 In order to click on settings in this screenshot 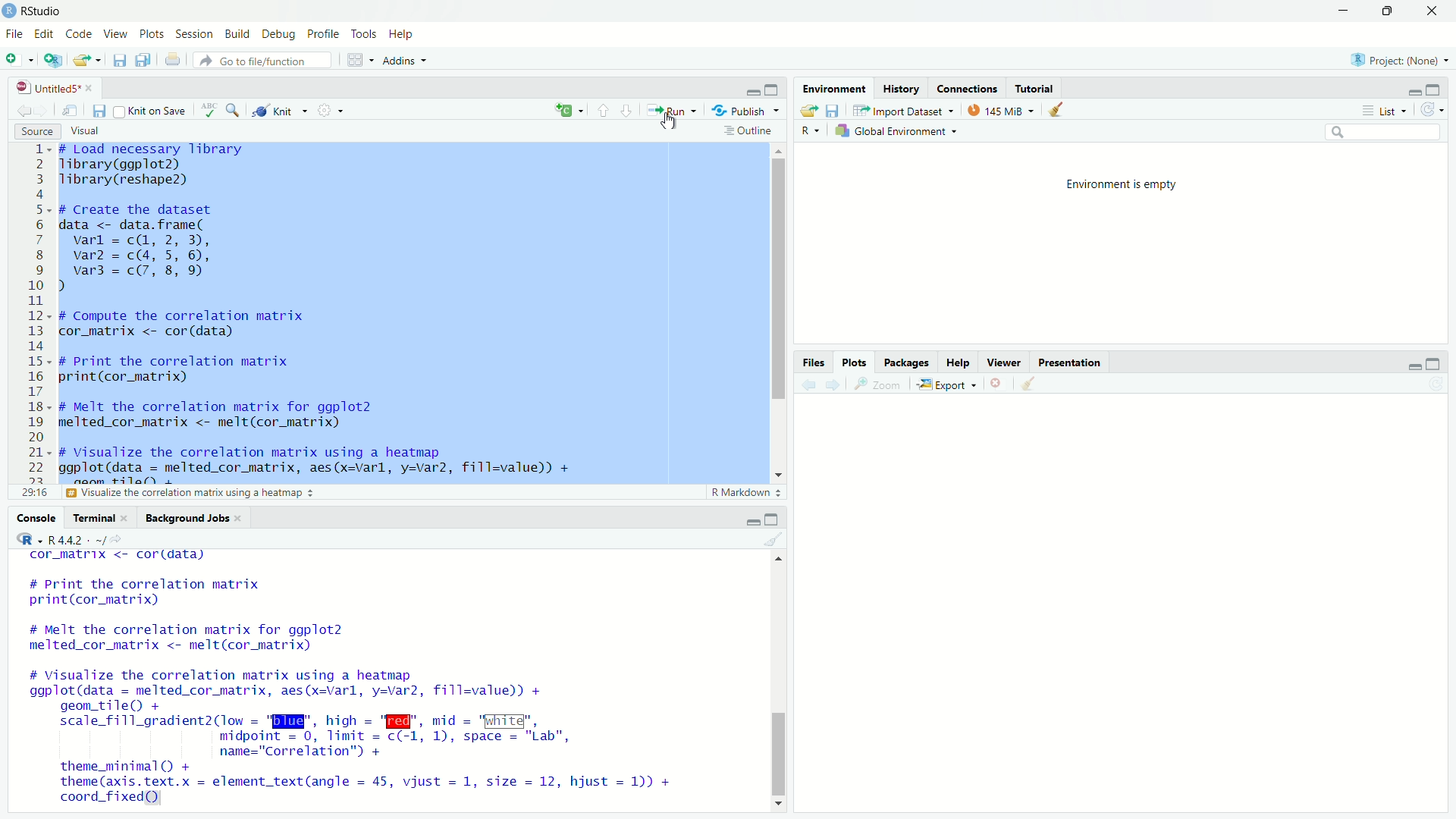, I will do `click(329, 110)`.